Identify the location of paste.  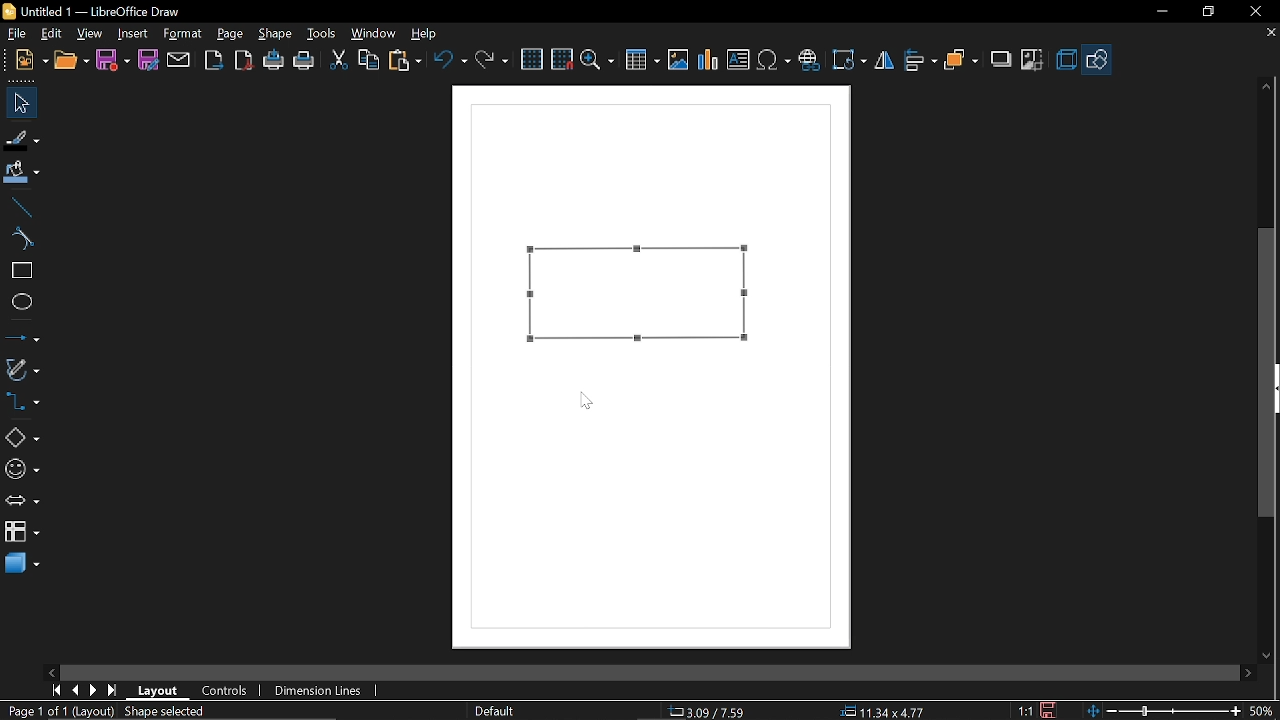
(406, 61).